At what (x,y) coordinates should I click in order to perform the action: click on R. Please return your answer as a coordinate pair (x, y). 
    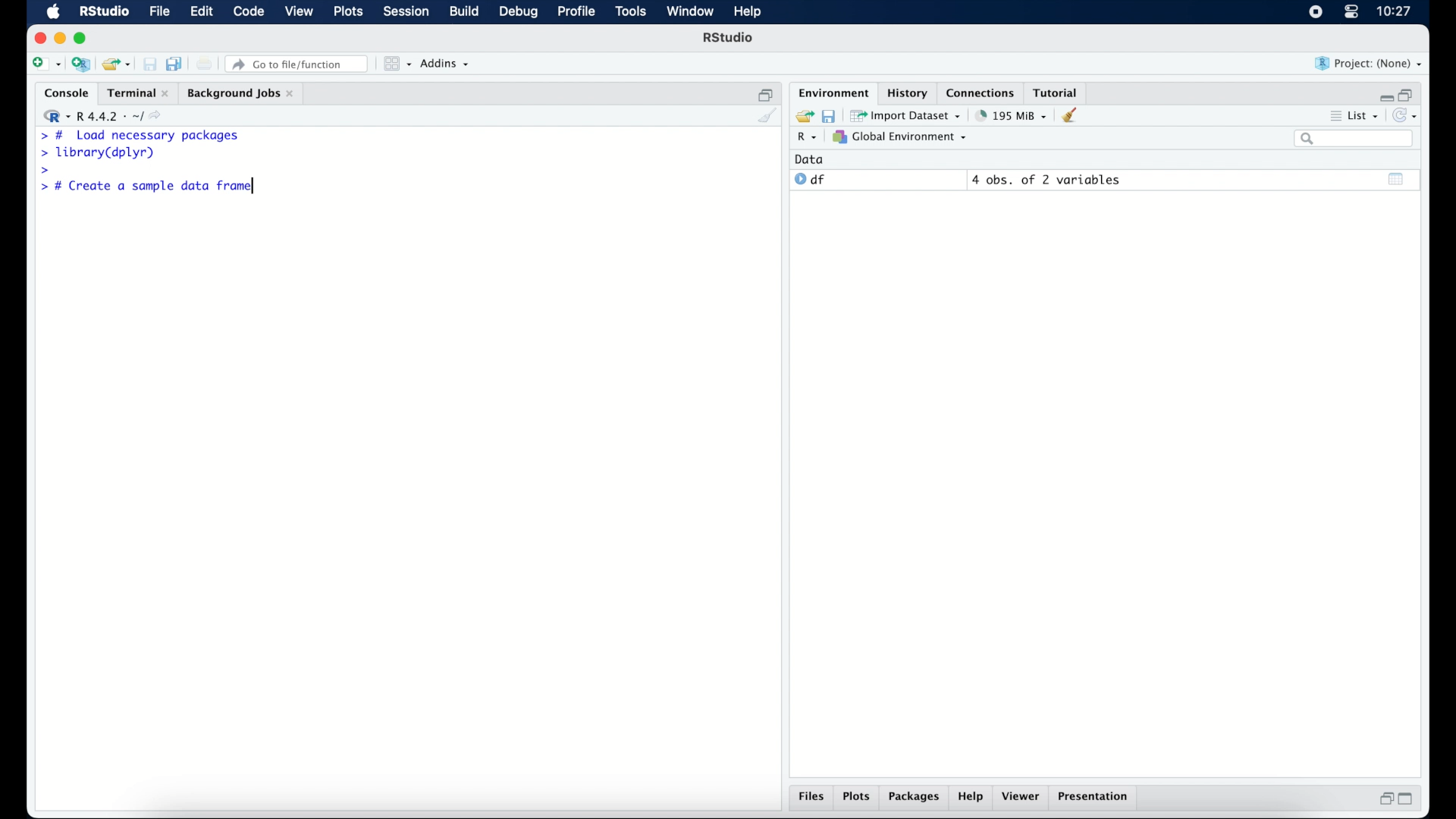
    Looking at the image, I should click on (805, 139).